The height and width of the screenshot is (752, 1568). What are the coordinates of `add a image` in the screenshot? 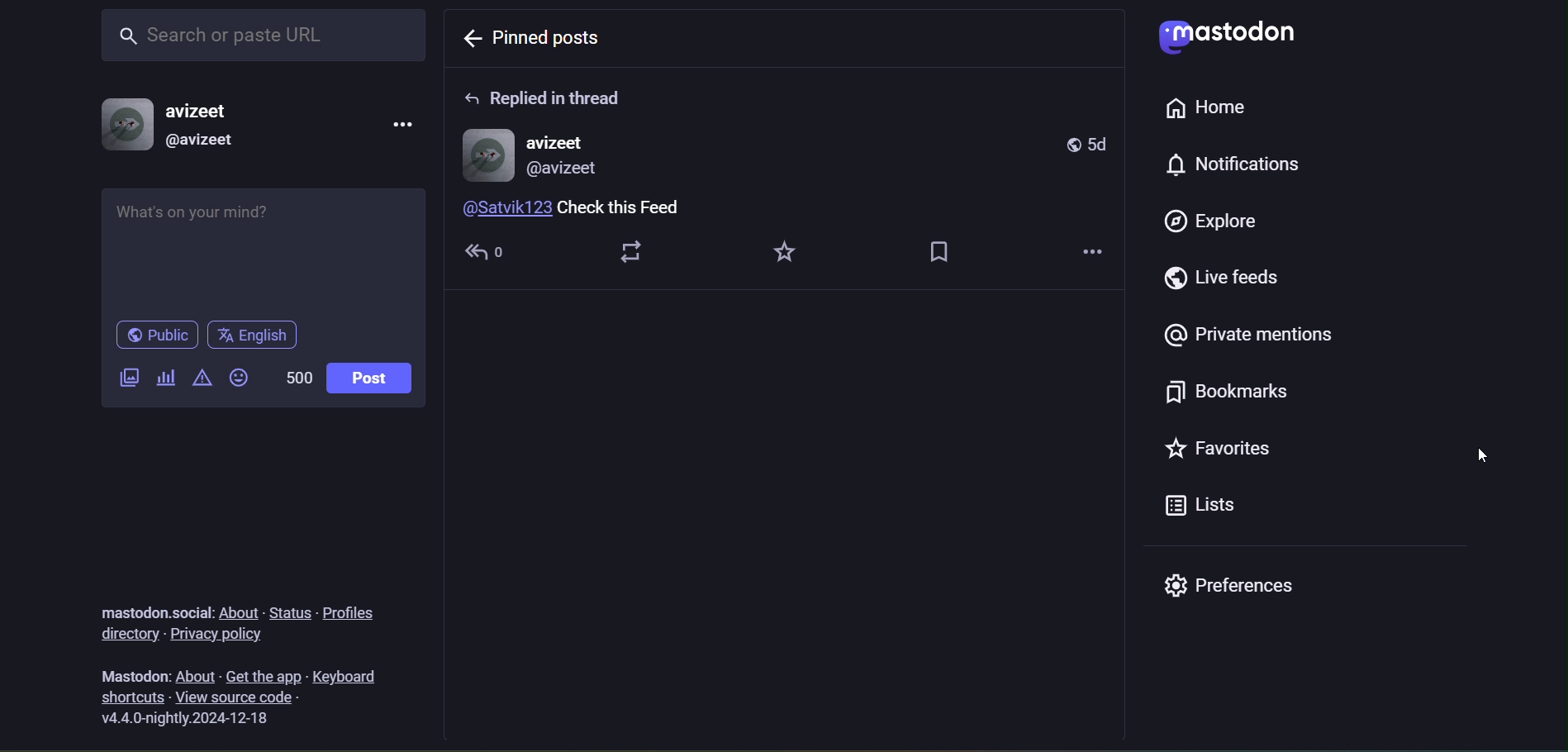 It's located at (126, 374).